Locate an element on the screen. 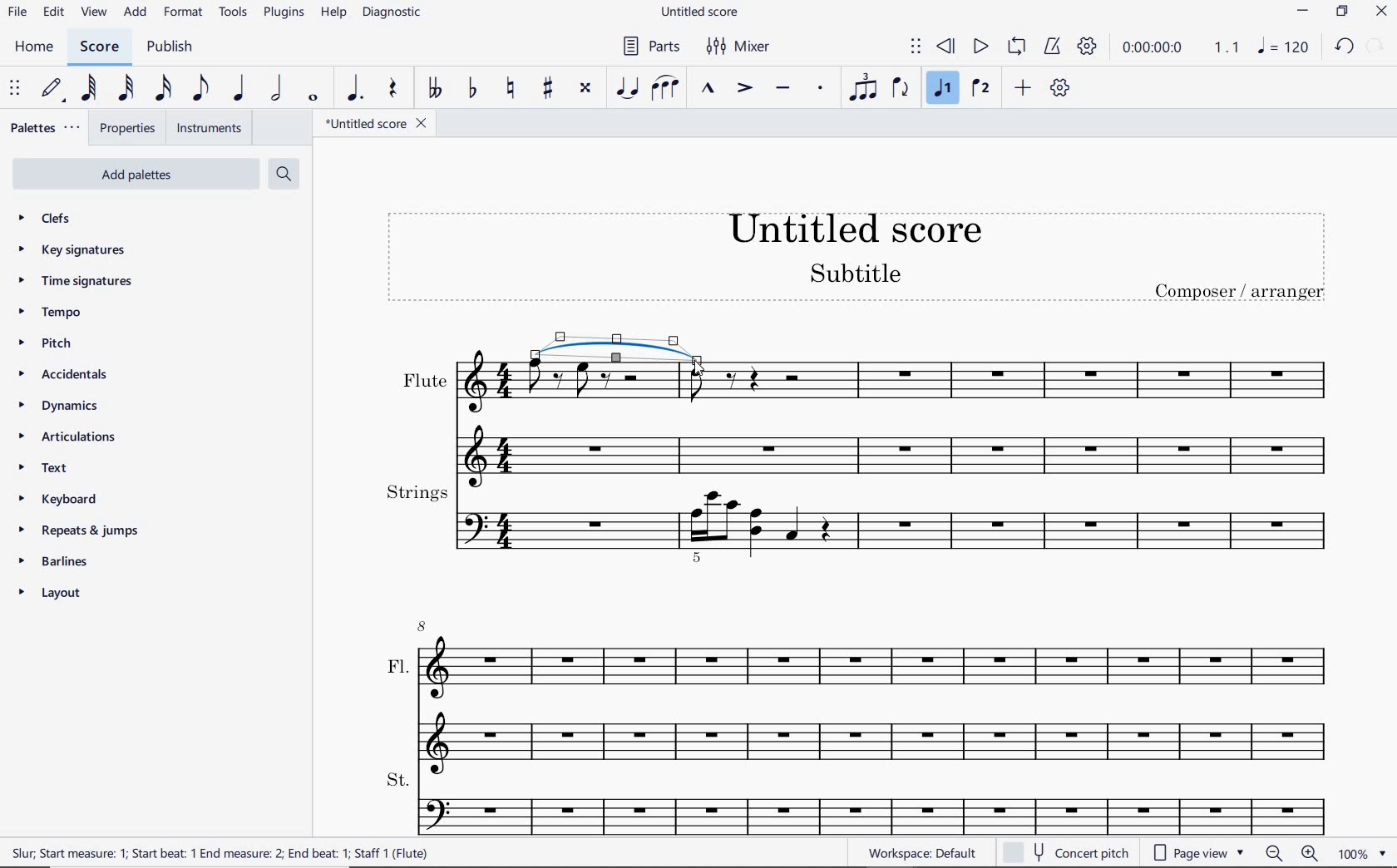 This screenshot has height=868, width=1397. clefs is located at coordinates (54, 220).